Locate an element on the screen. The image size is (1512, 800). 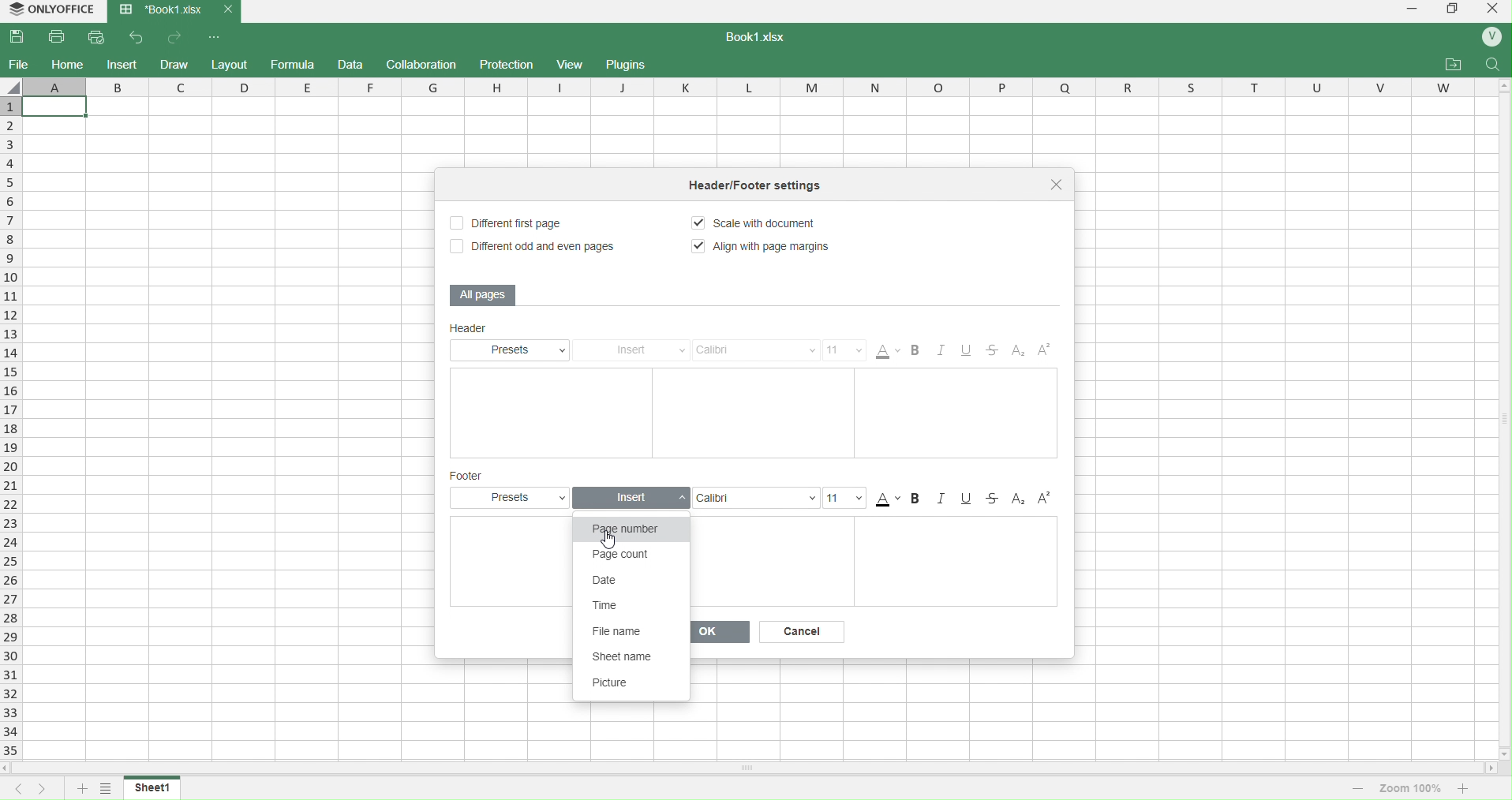
add sheet is located at coordinates (80, 790).